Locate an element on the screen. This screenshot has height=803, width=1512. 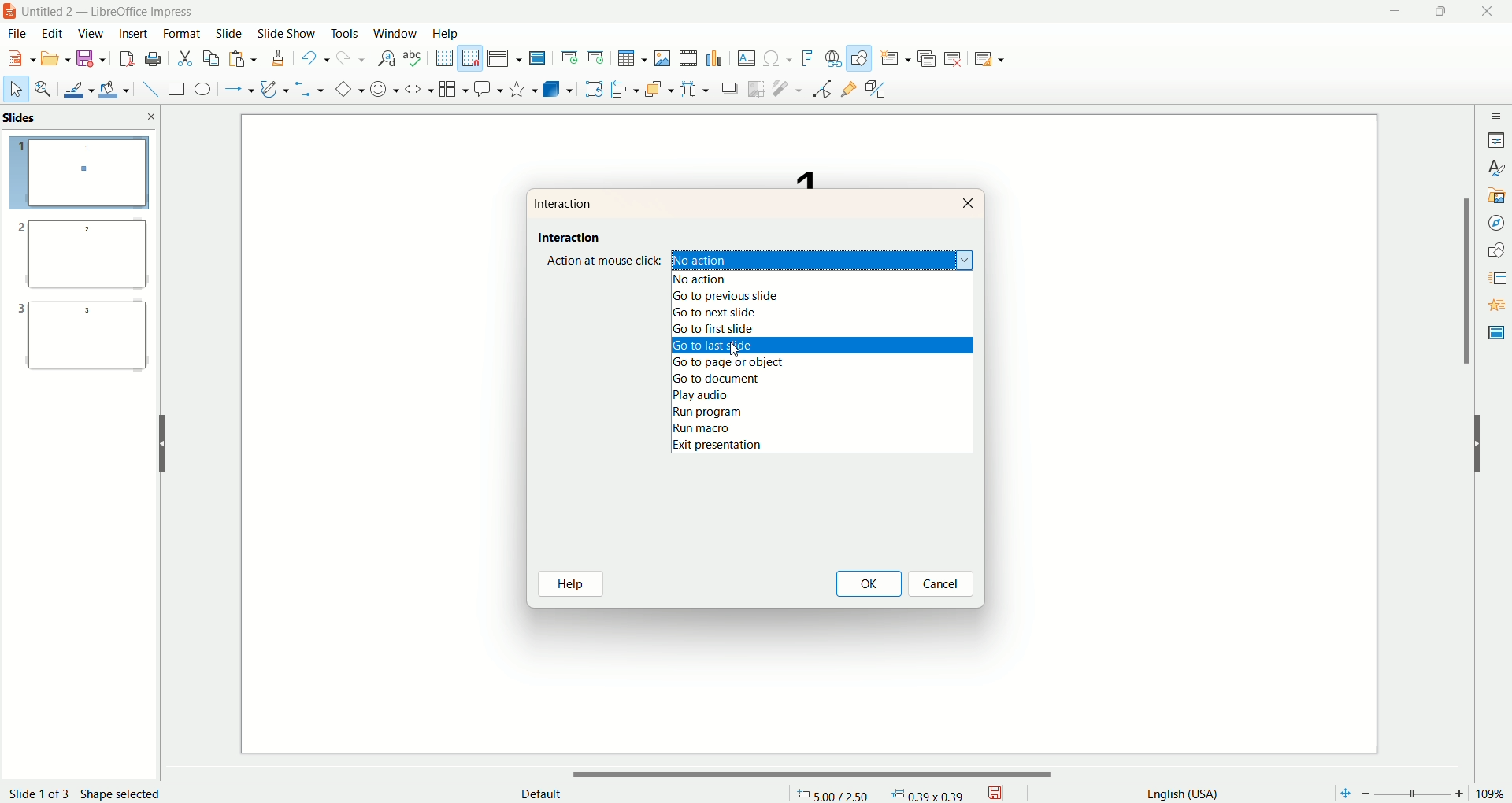
gluepoint function is located at coordinates (848, 90).